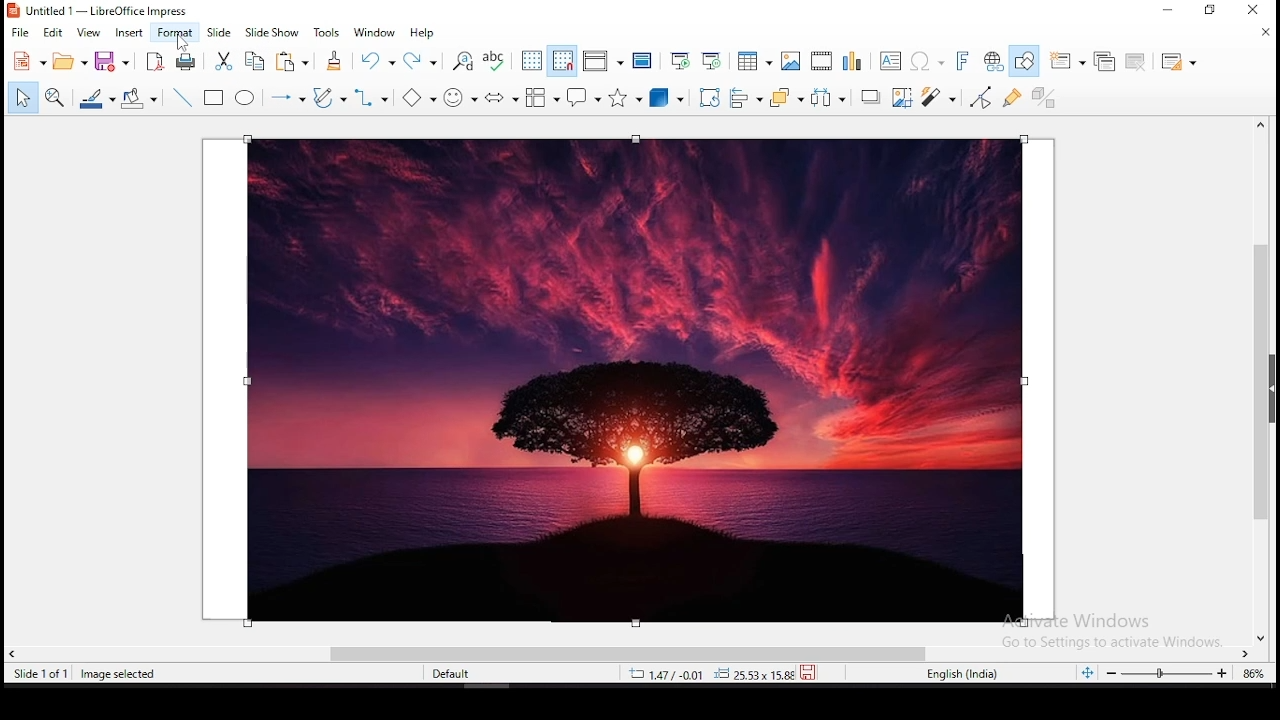 This screenshot has width=1280, height=720. What do you see at coordinates (748, 100) in the screenshot?
I see `align objects` at bounding box center [748, 100].